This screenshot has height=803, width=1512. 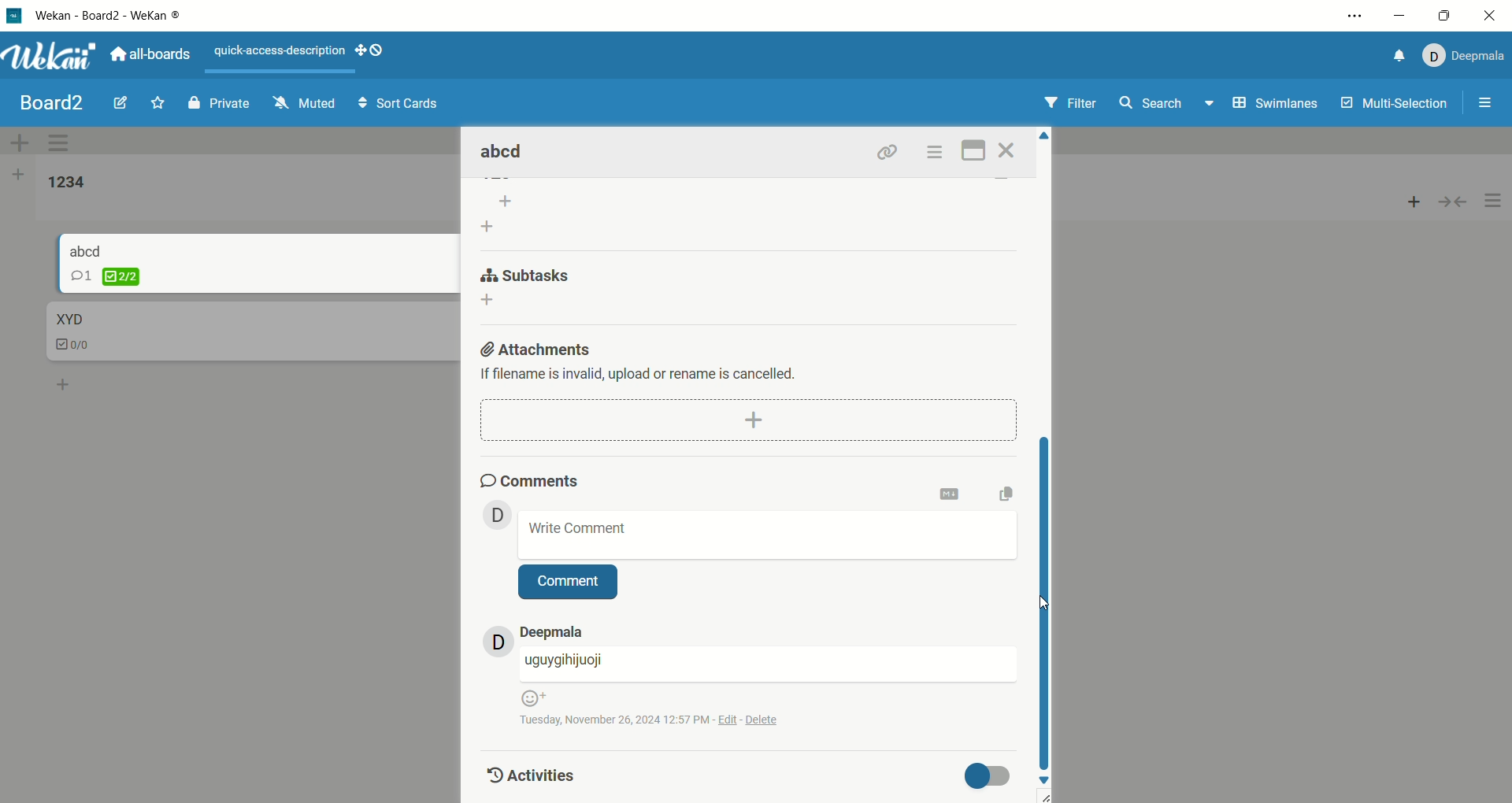 I want to click on maximize, so click(x=975, y=149).